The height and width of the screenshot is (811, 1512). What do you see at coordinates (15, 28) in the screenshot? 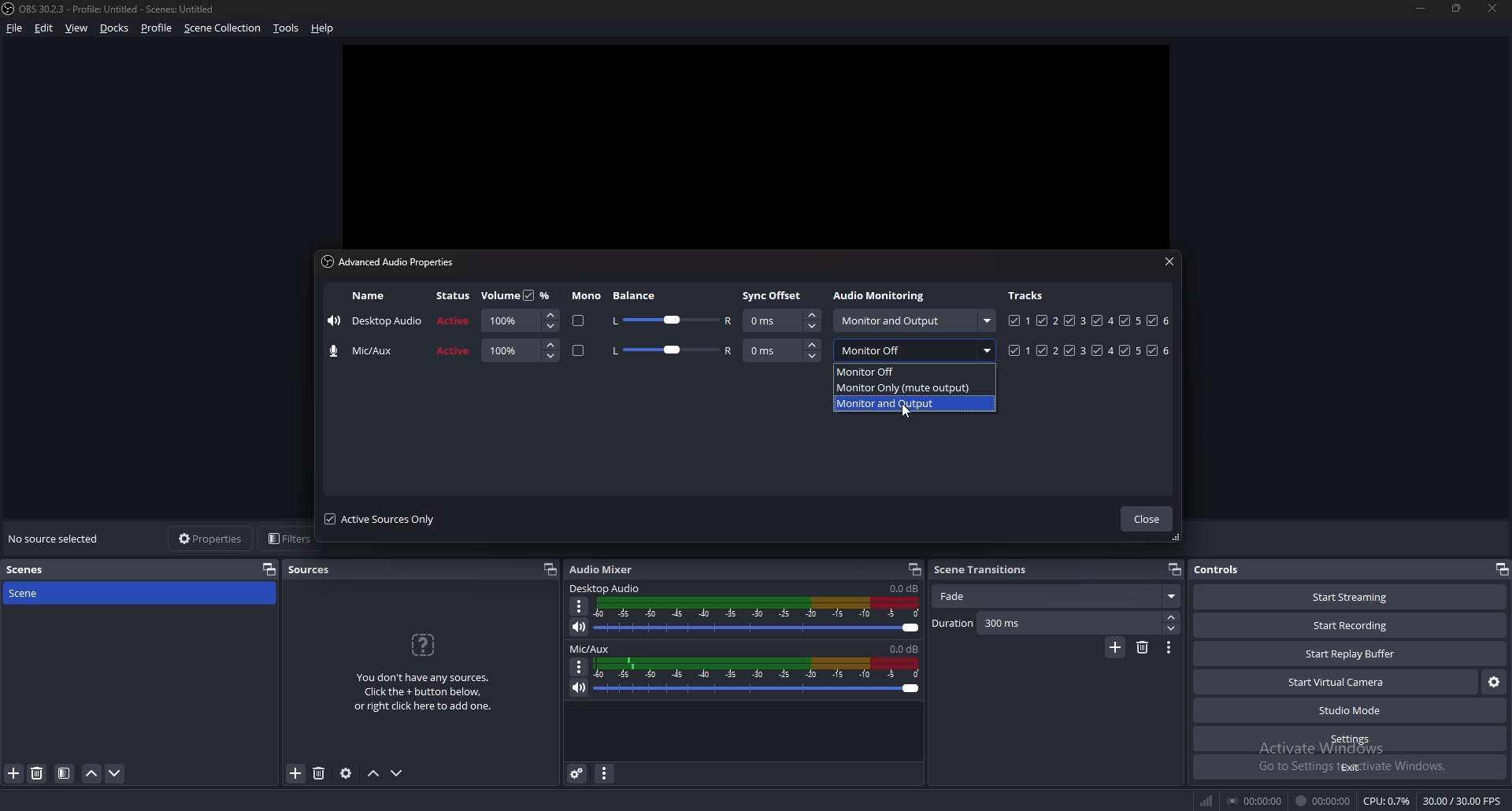
I see `file` at bounding box center [15, 28].